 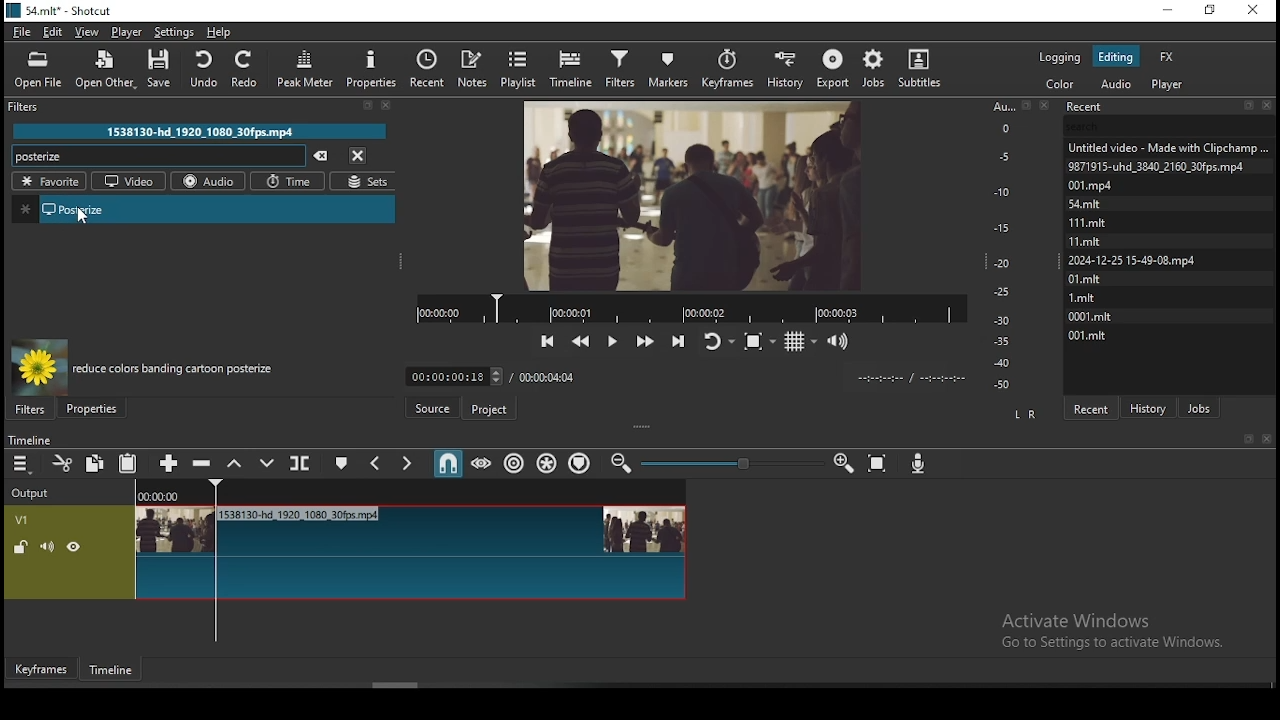 I want to click on 111.mlt, so click(x=1087, y=220).